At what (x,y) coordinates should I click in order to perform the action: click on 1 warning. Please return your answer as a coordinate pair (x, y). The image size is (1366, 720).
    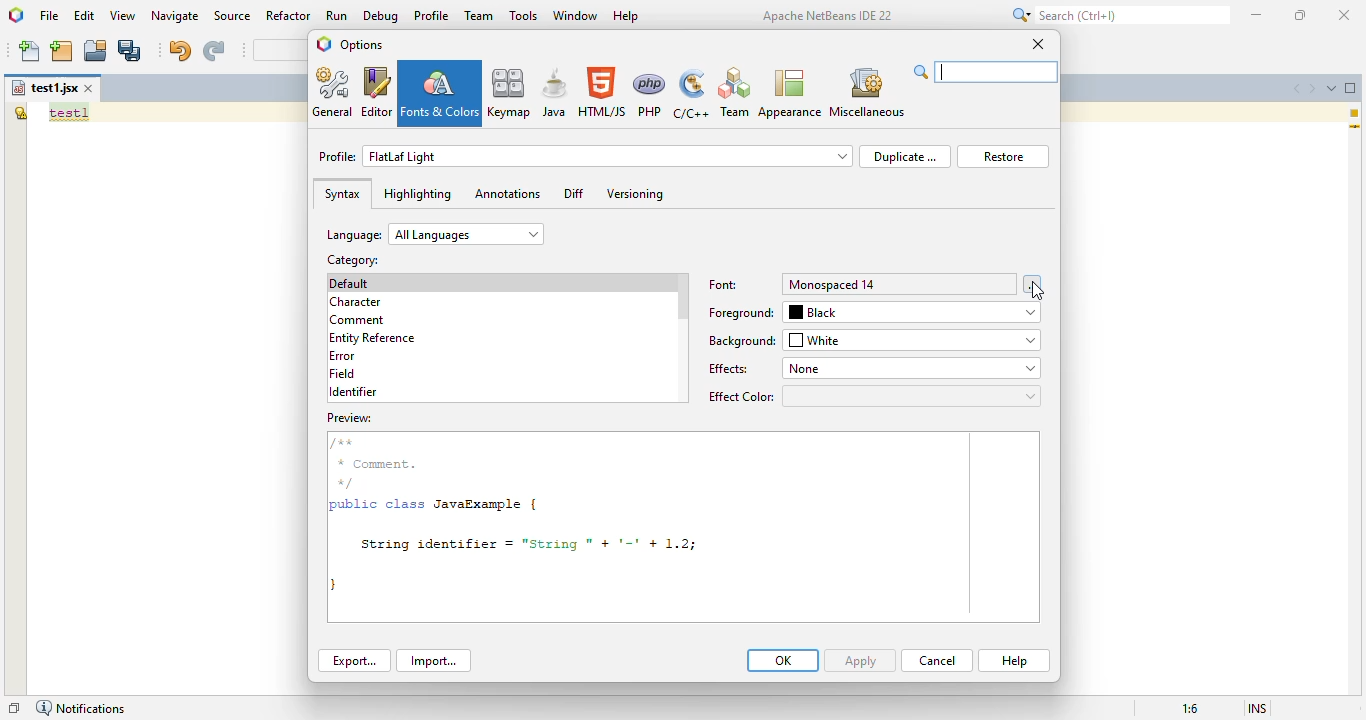
    Looking at the image, I should click on (1357, 113).